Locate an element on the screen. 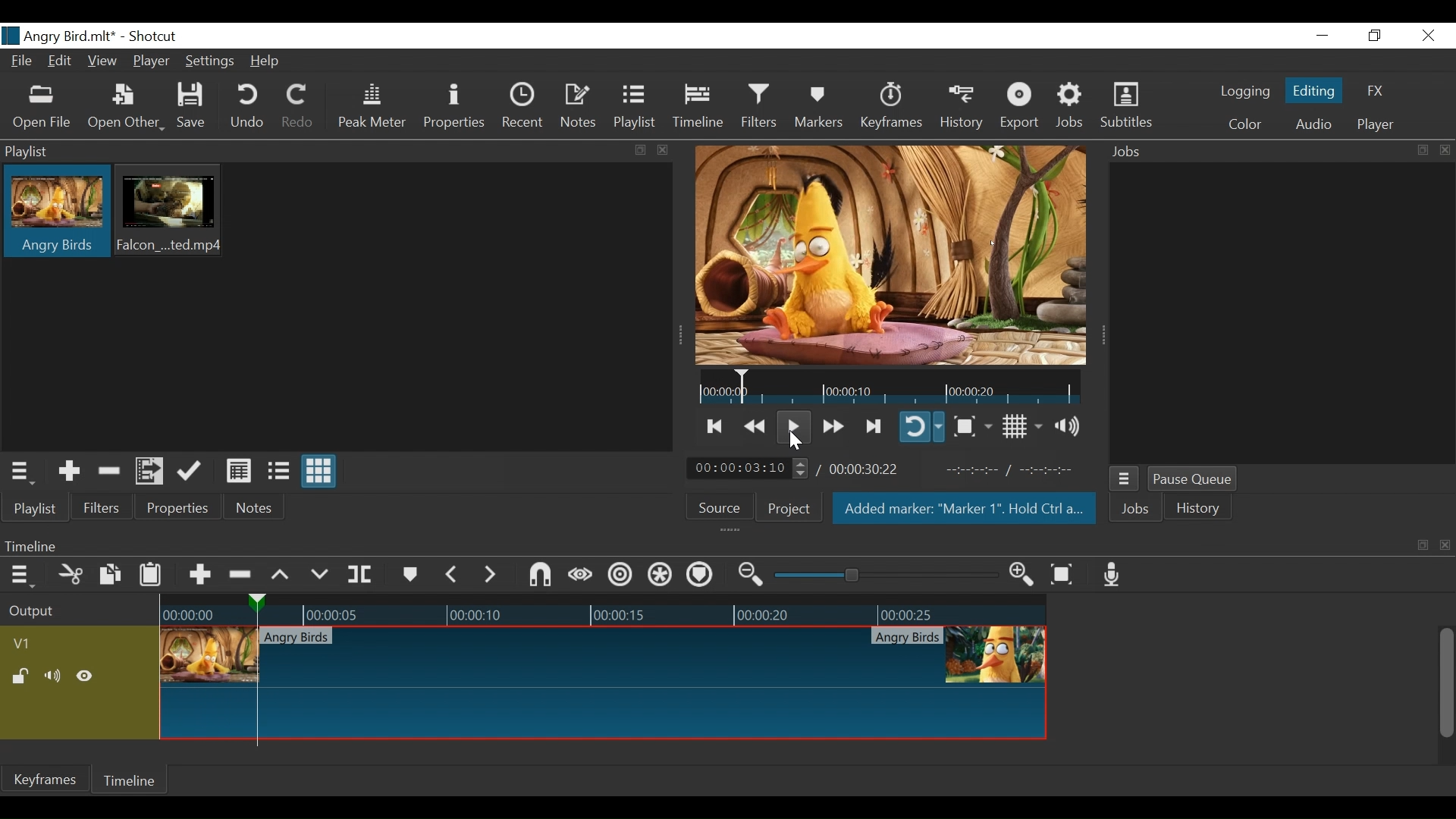 The height and width of the screenshot is (819, 1456). Timeline menu is located at coordinates (20, 576).